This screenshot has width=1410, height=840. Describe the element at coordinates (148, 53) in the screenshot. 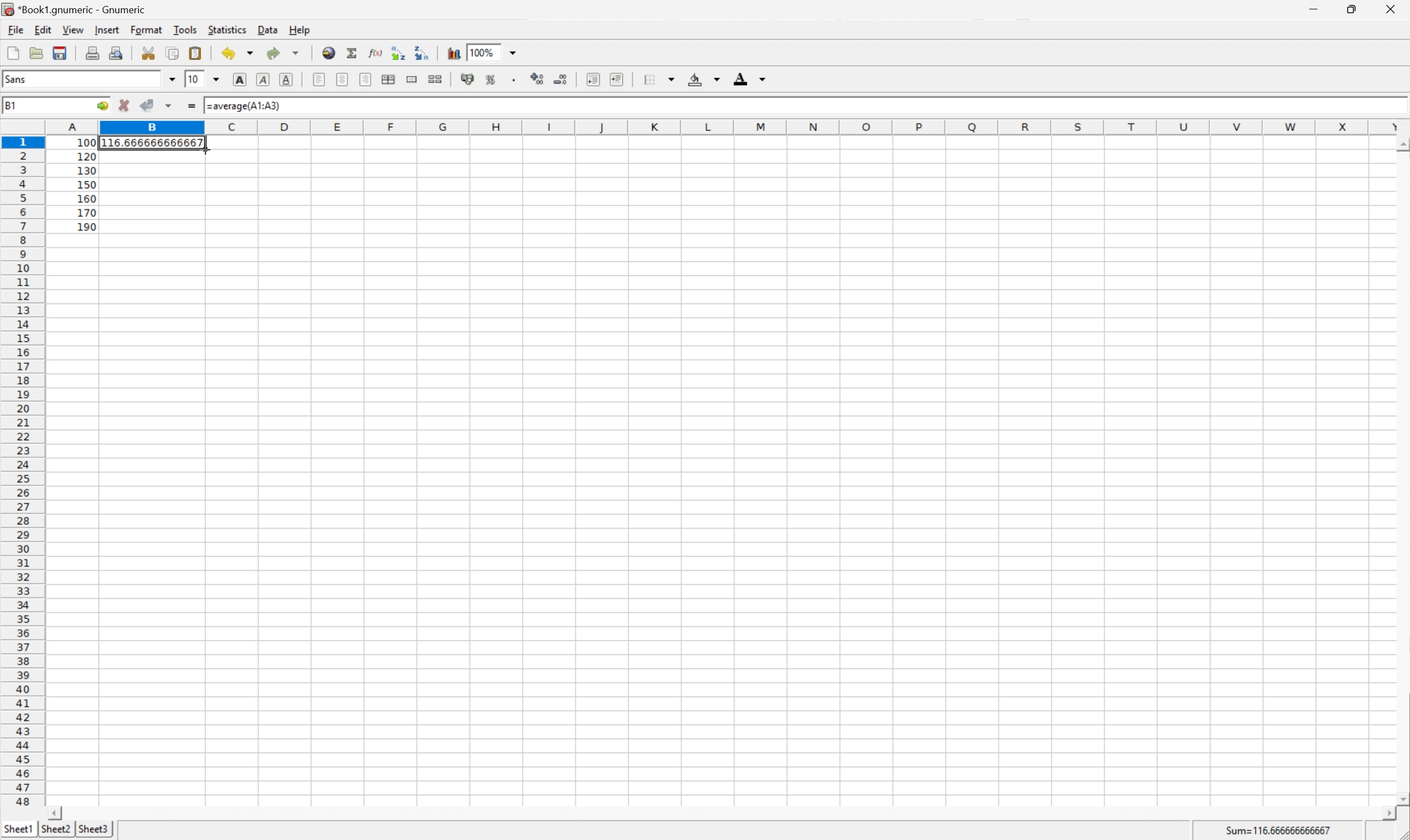

I see `Cut selection` at that location.